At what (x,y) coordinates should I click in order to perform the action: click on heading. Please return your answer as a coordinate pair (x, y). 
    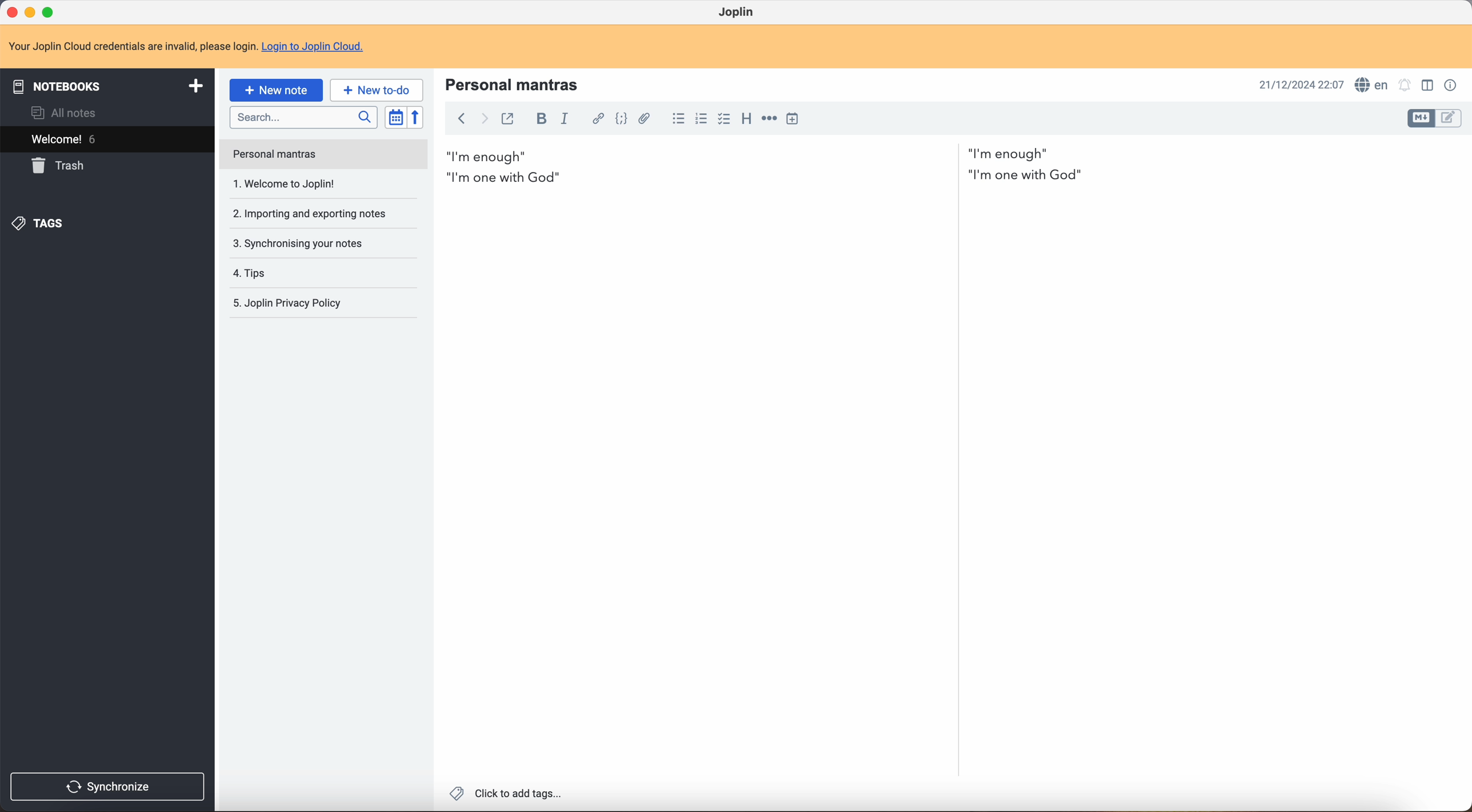
    Looking at the image, I should click on (746, 121).